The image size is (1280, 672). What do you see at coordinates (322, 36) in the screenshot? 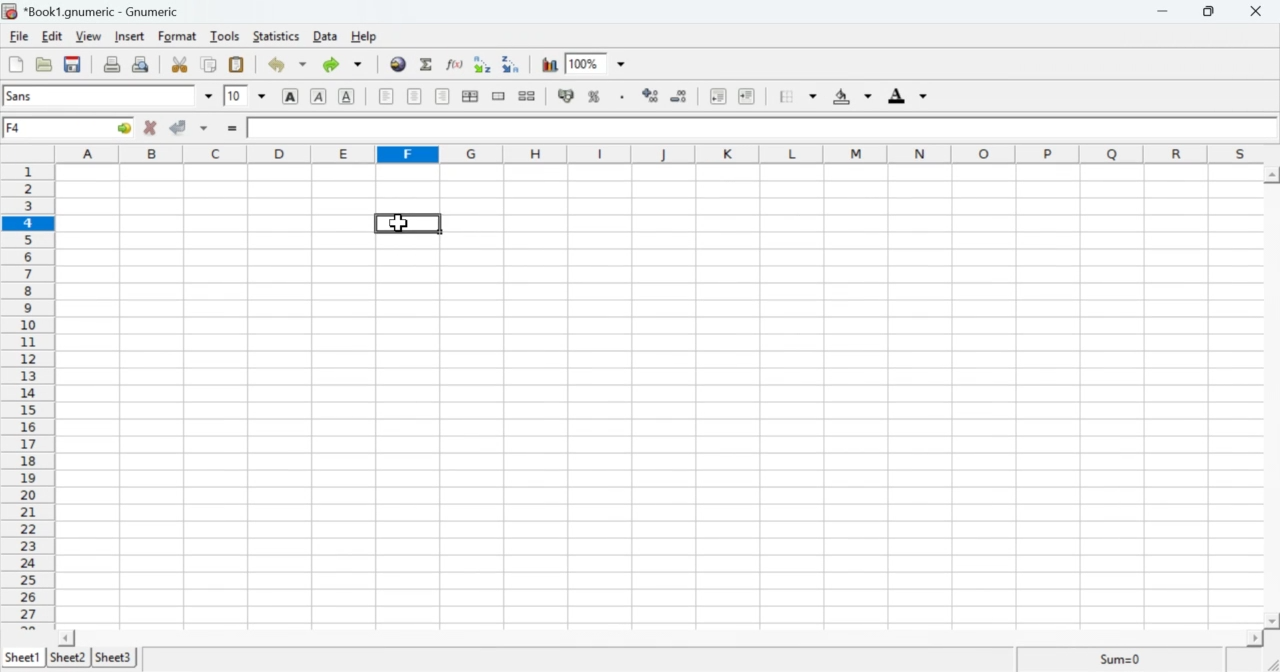
I see `Data` at bounding box center [322, 36].